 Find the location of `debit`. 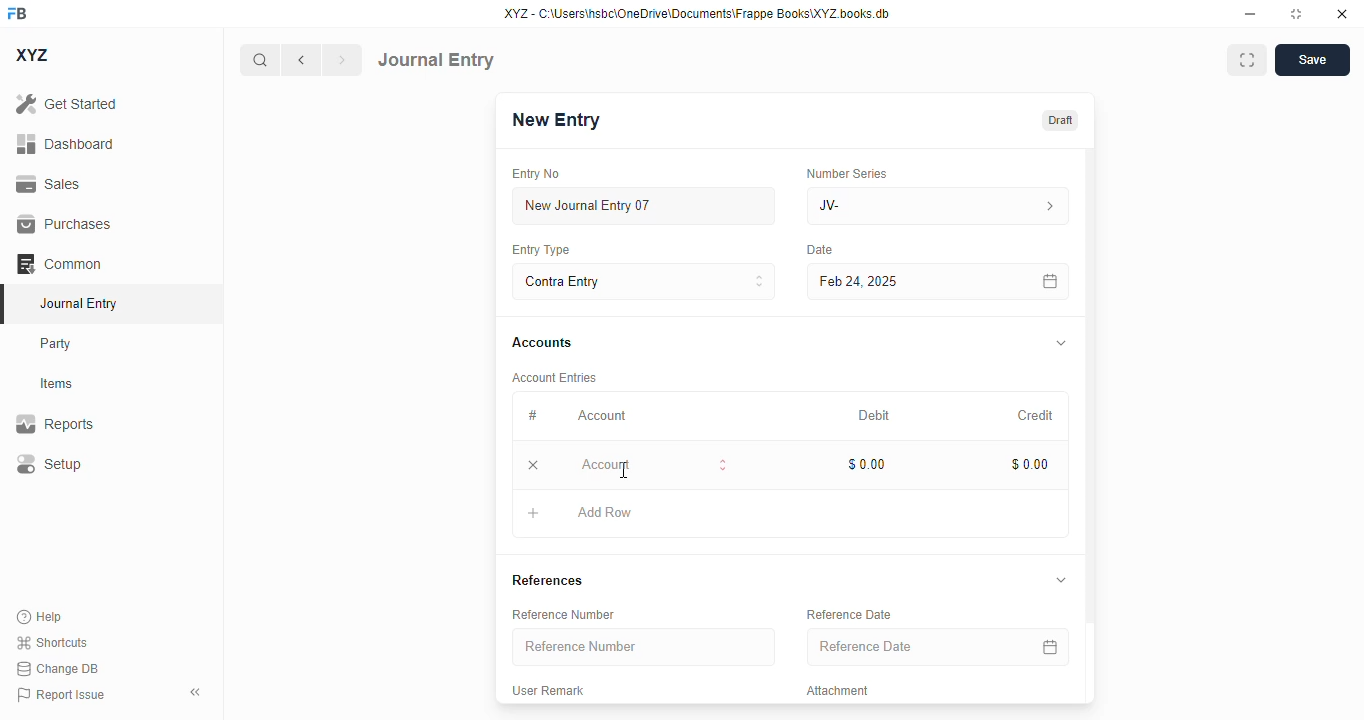

debit is located at coordinates (875, 415).